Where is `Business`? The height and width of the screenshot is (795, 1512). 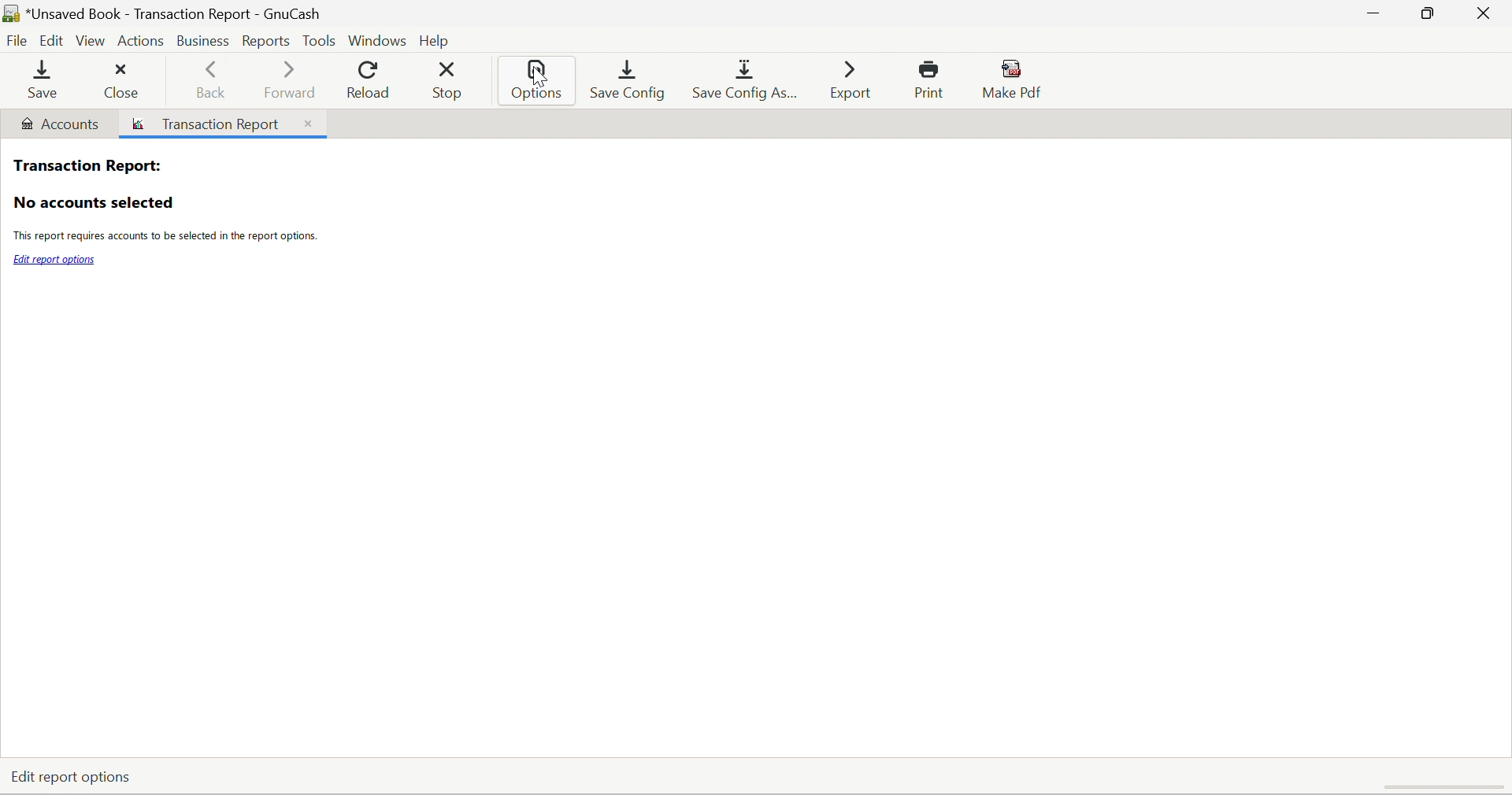
Business is located at coordinates (201, 39).